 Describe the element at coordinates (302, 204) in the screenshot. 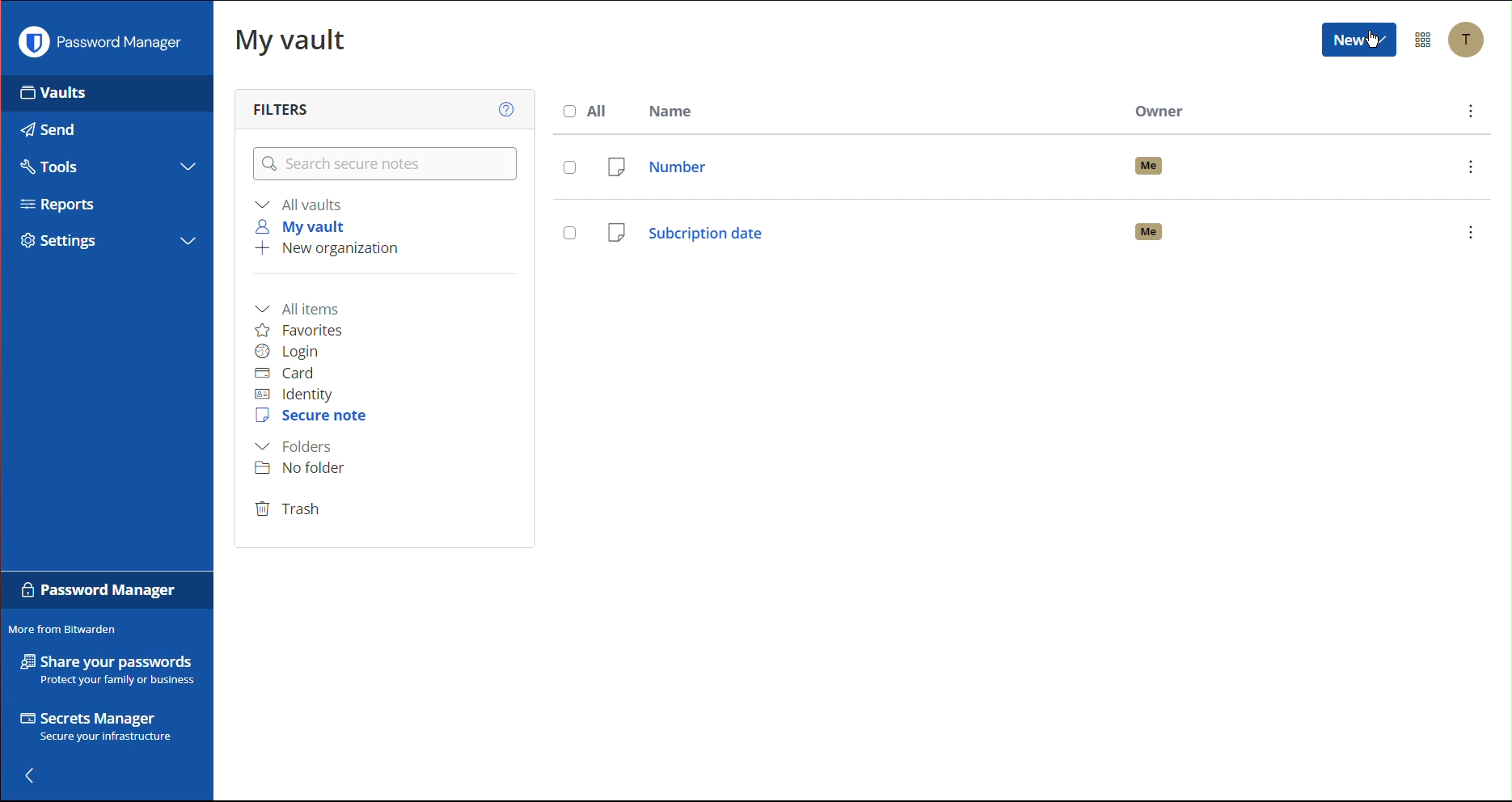

I see `All vaults` at that location.